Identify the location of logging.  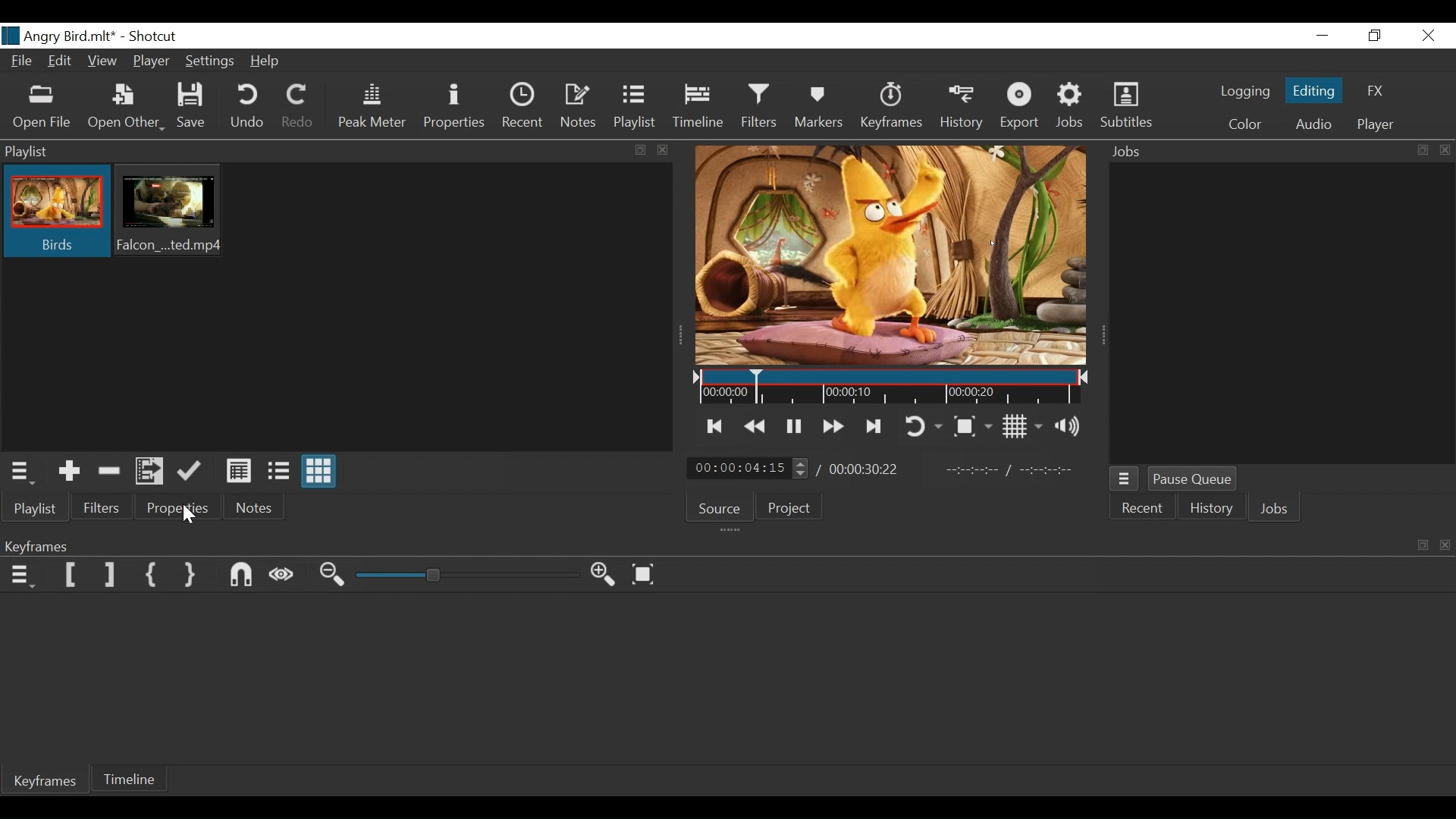
(1239, 93).